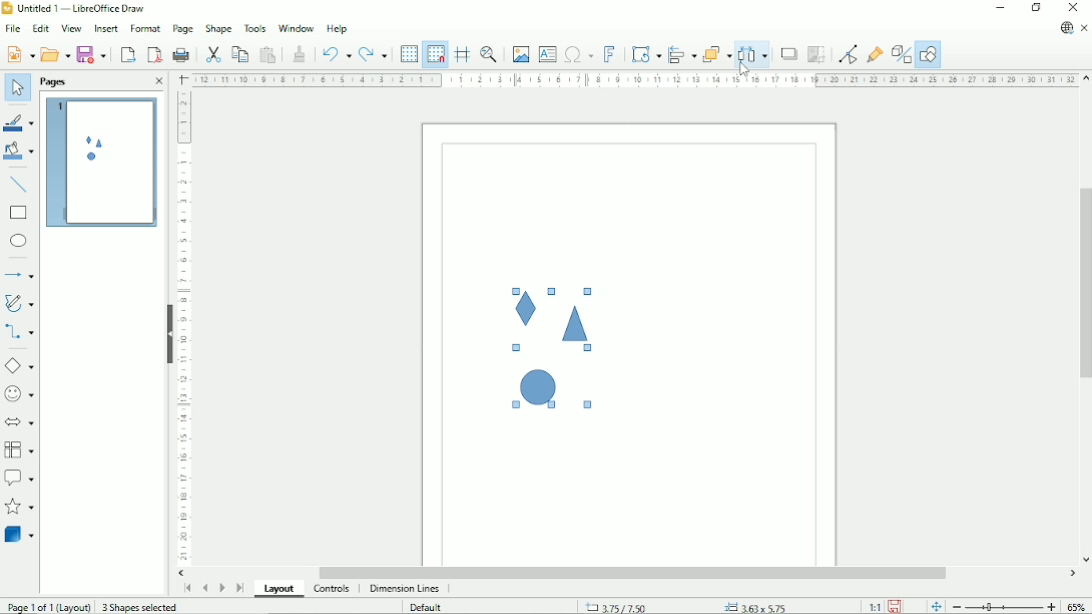 This screenshot has height=614, width=1092. Describe the element at coordinates (19, 184) in the screenshot. I see `Insert line` at that location.